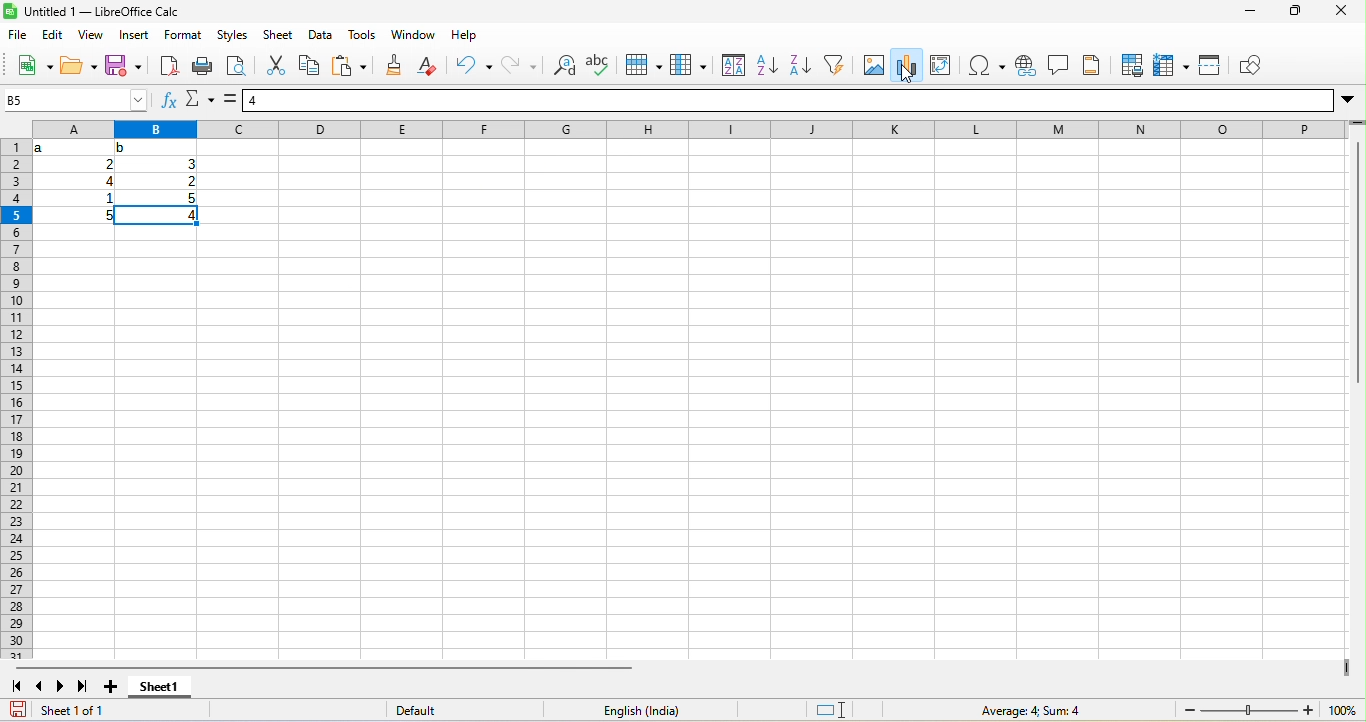 This screenshot has height=722, width=1366. Describe the element at coordinates (230, 99) in the screenshot. I see `formula` at that location.